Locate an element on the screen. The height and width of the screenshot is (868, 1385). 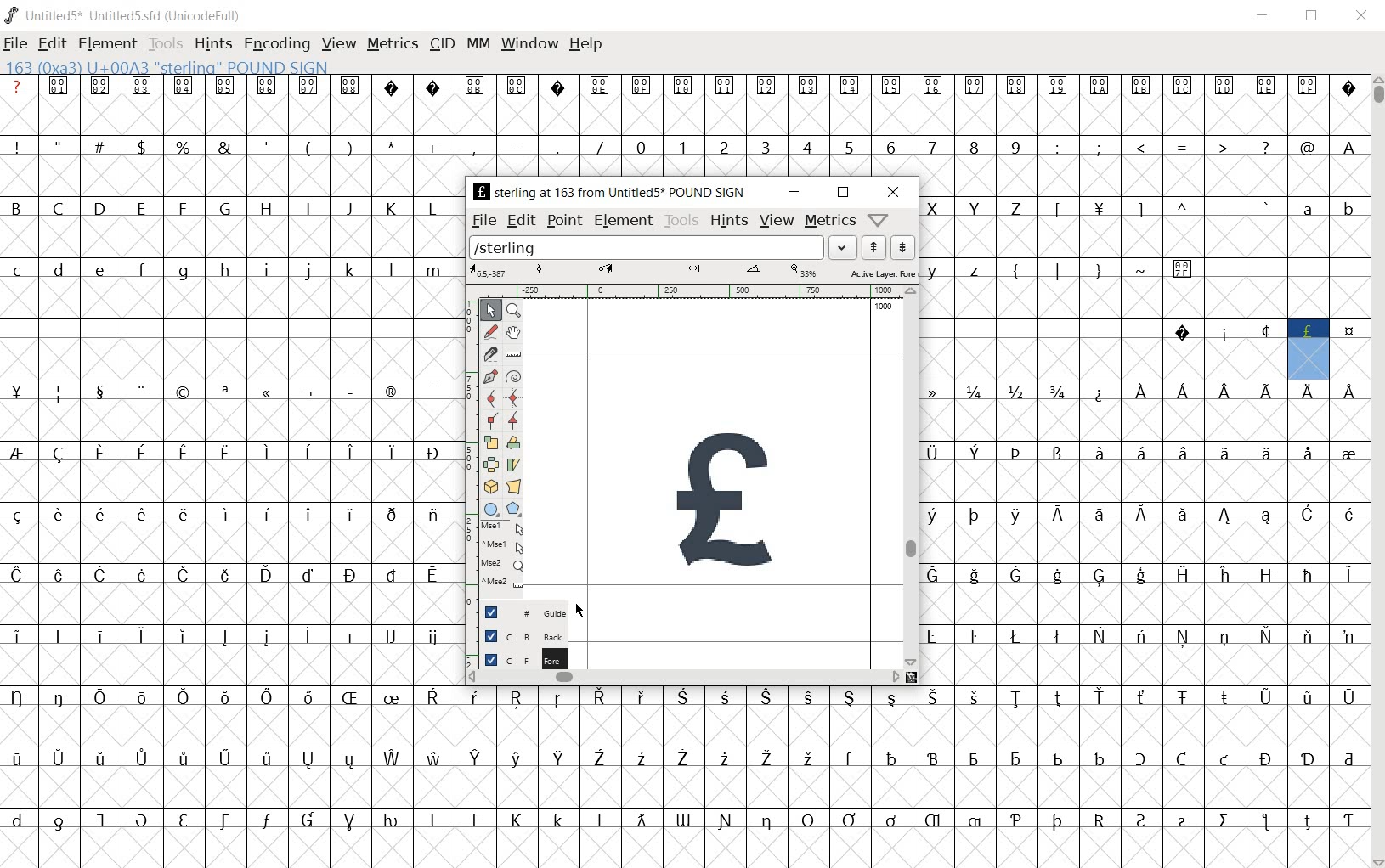
 is located at coordinates (100, 272).